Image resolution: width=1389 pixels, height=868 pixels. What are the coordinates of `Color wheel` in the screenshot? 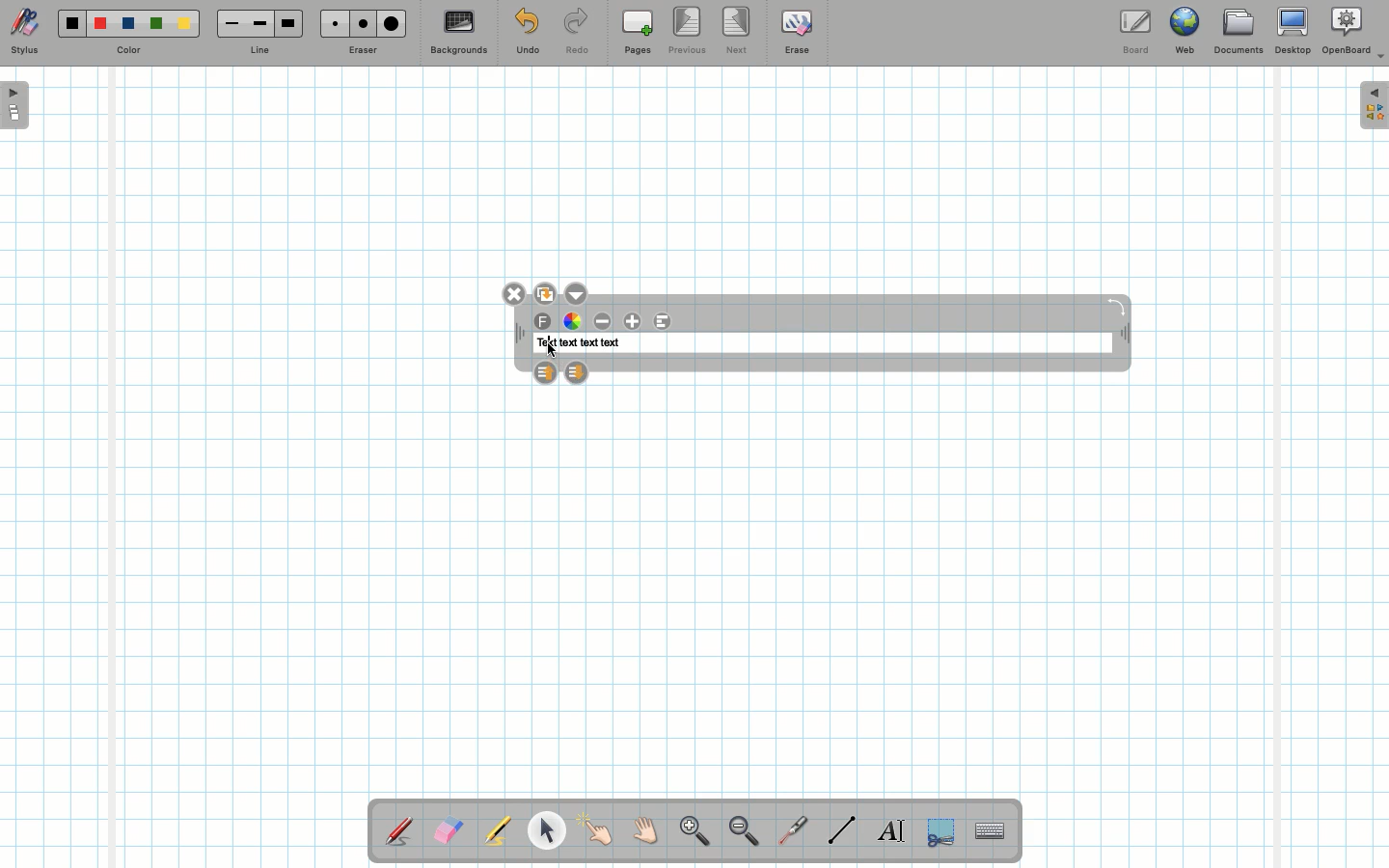 It's located at (572, 320).